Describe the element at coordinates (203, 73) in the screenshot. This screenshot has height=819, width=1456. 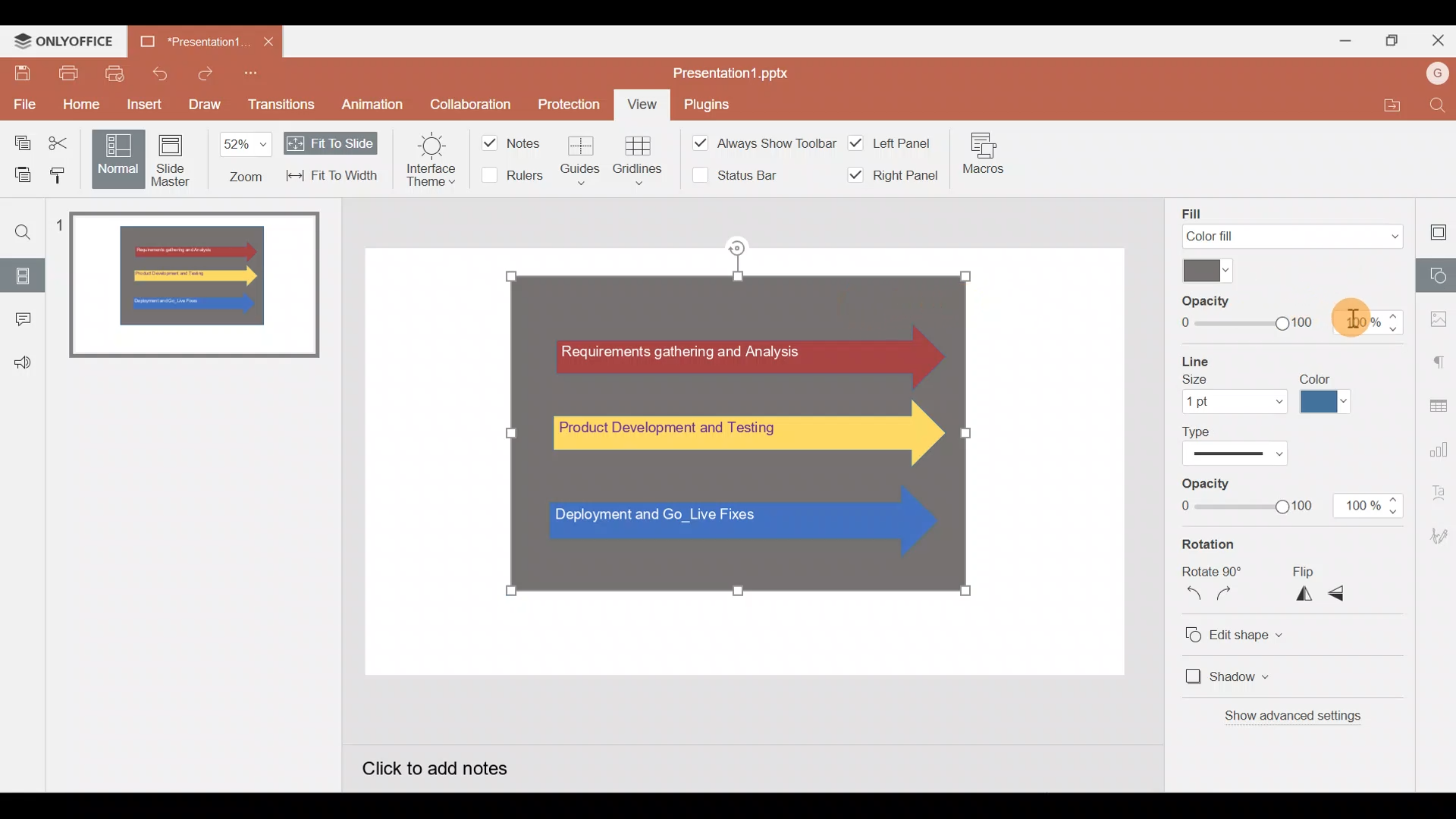
I see `Redo` at that location.